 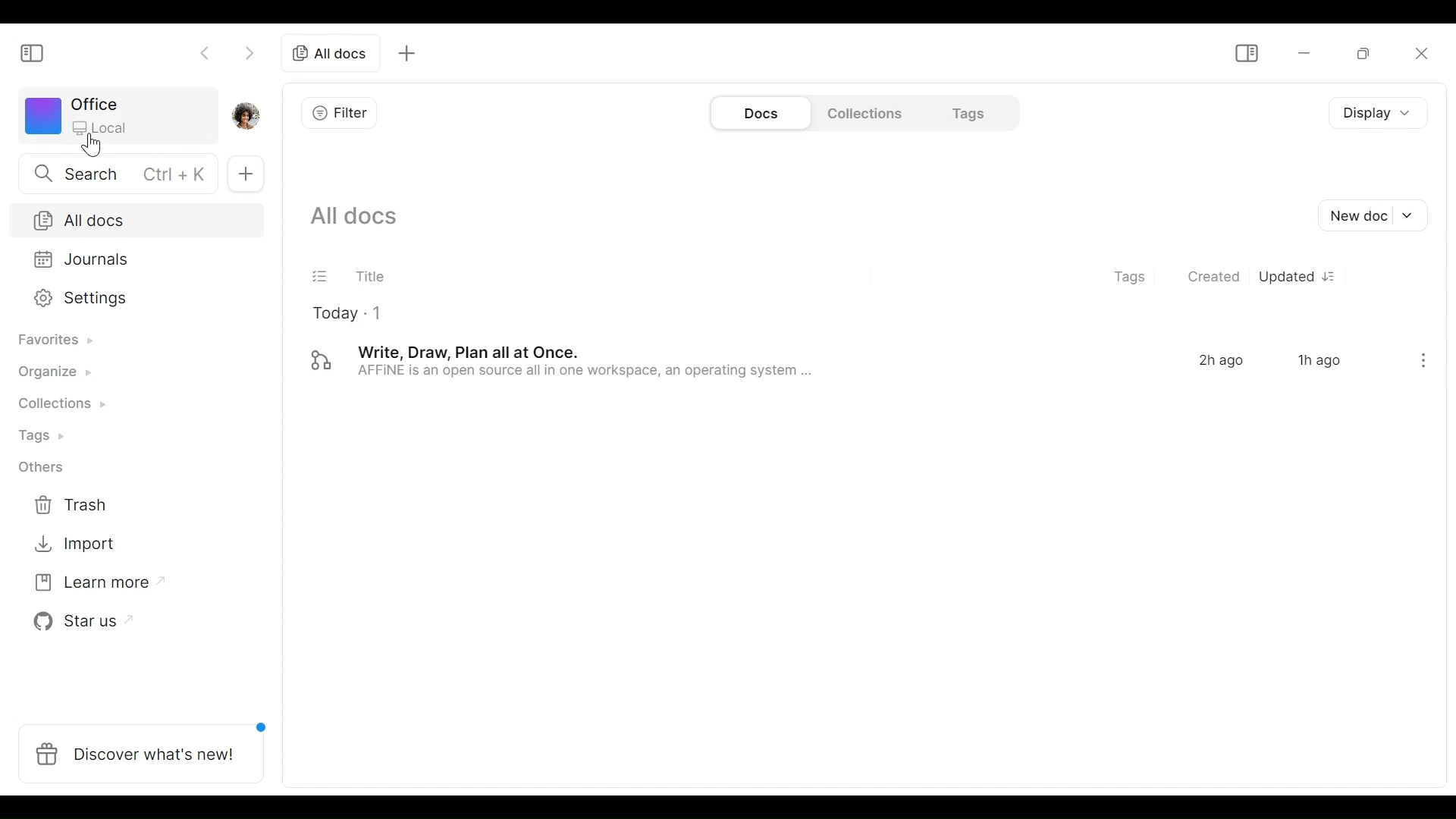 What do you see at coordinates (1130, 276) in the screenshot?
I see `Tags` at bounding box center [1130, 276].